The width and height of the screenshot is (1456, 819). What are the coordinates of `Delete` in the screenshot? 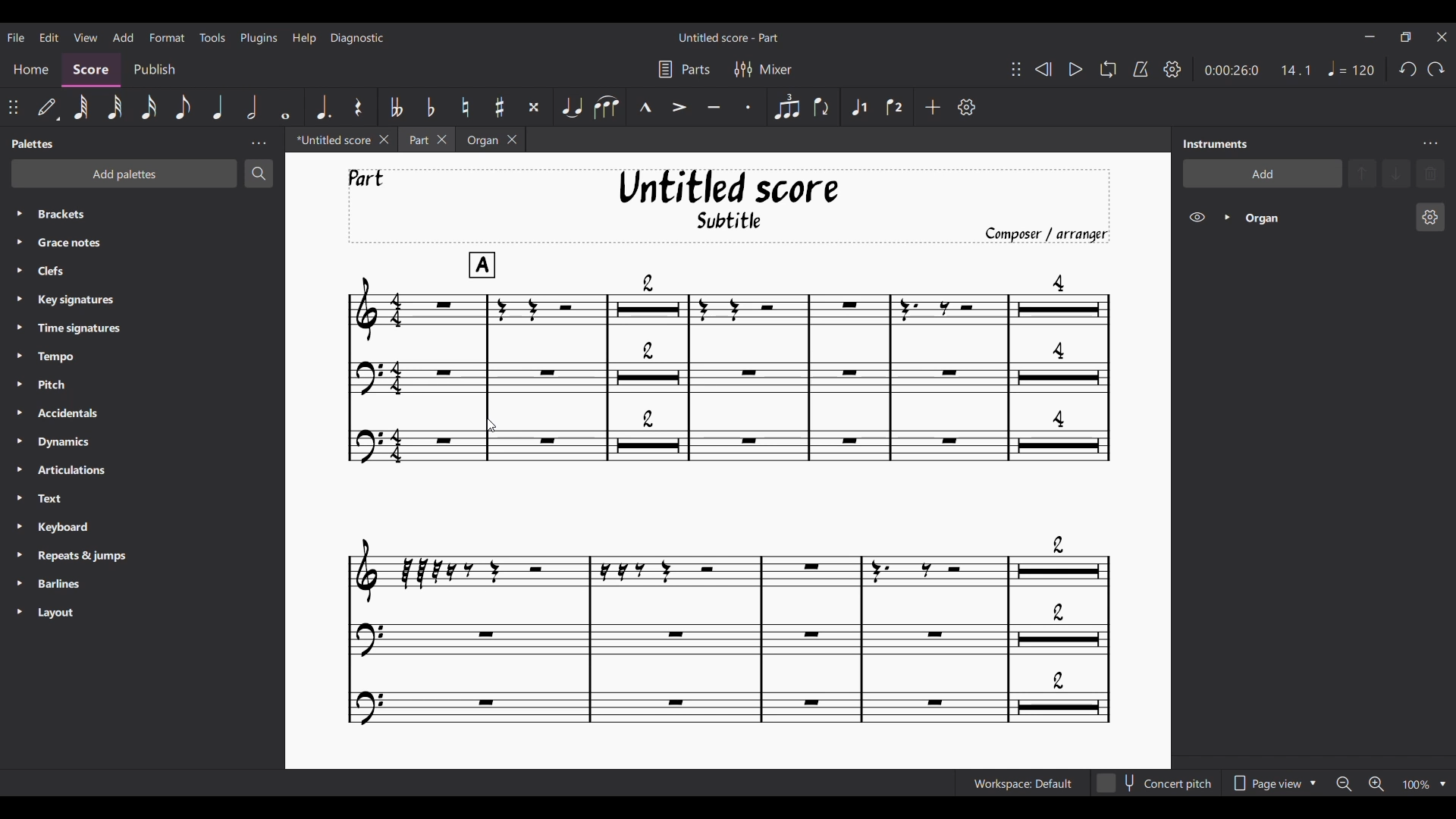 It's located at (1431, 174).